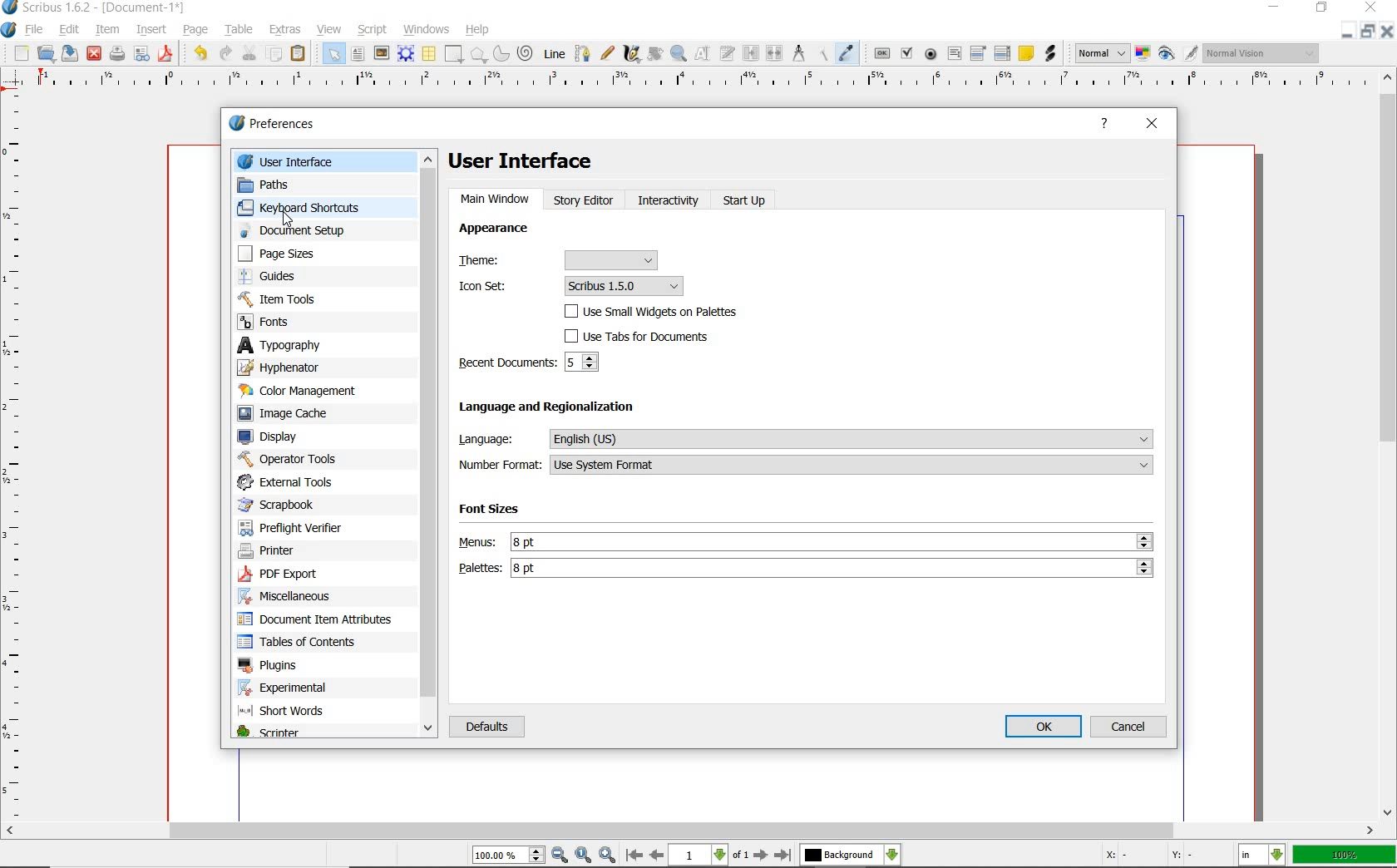 The height and width of the screenshot is (868, 1397). What do you see at coordinates (274, 552) in the screenshot?
I see `printer` at bounding box center [274, 552].